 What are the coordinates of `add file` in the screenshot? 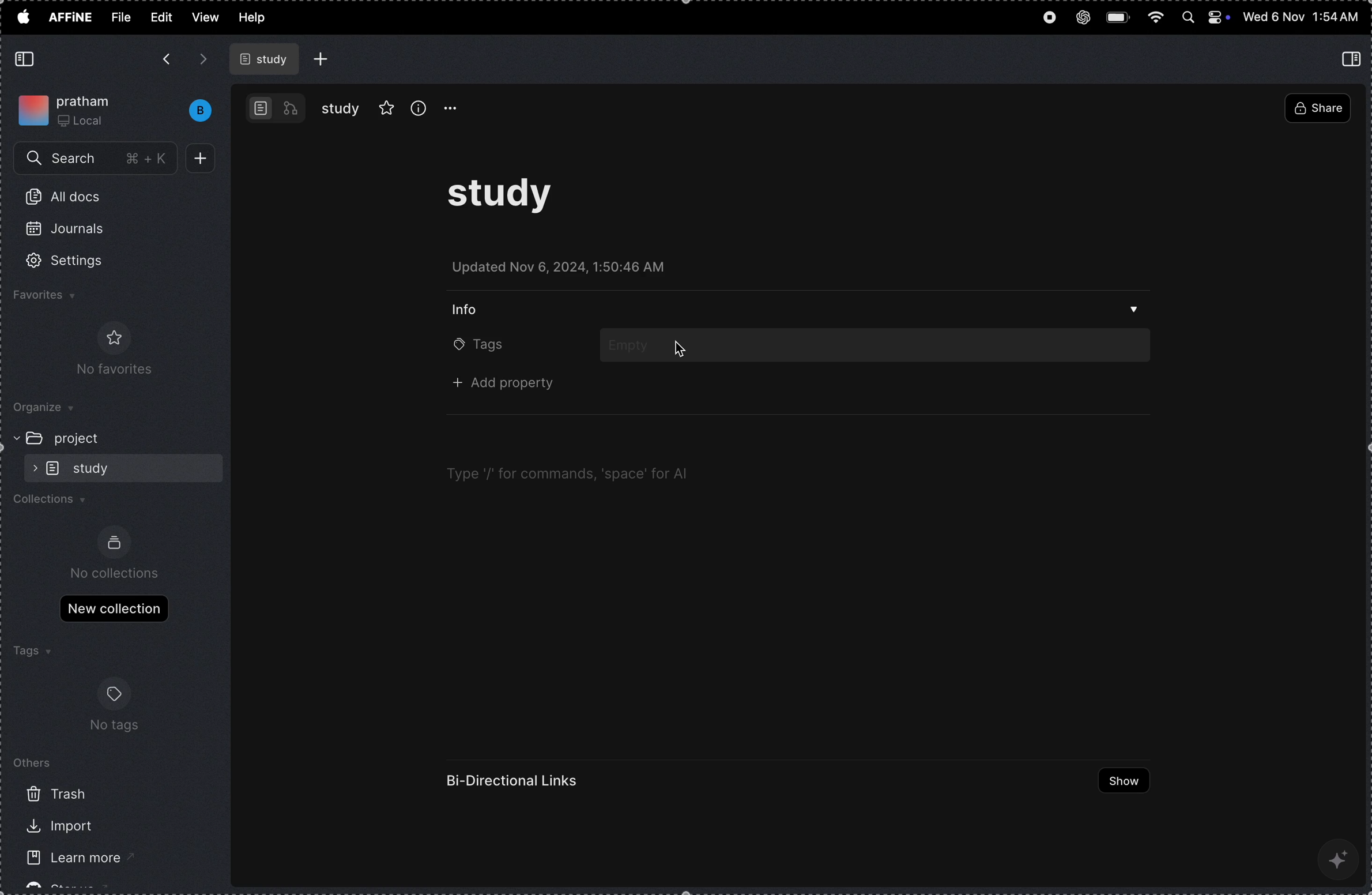 It's located at (322, 59).